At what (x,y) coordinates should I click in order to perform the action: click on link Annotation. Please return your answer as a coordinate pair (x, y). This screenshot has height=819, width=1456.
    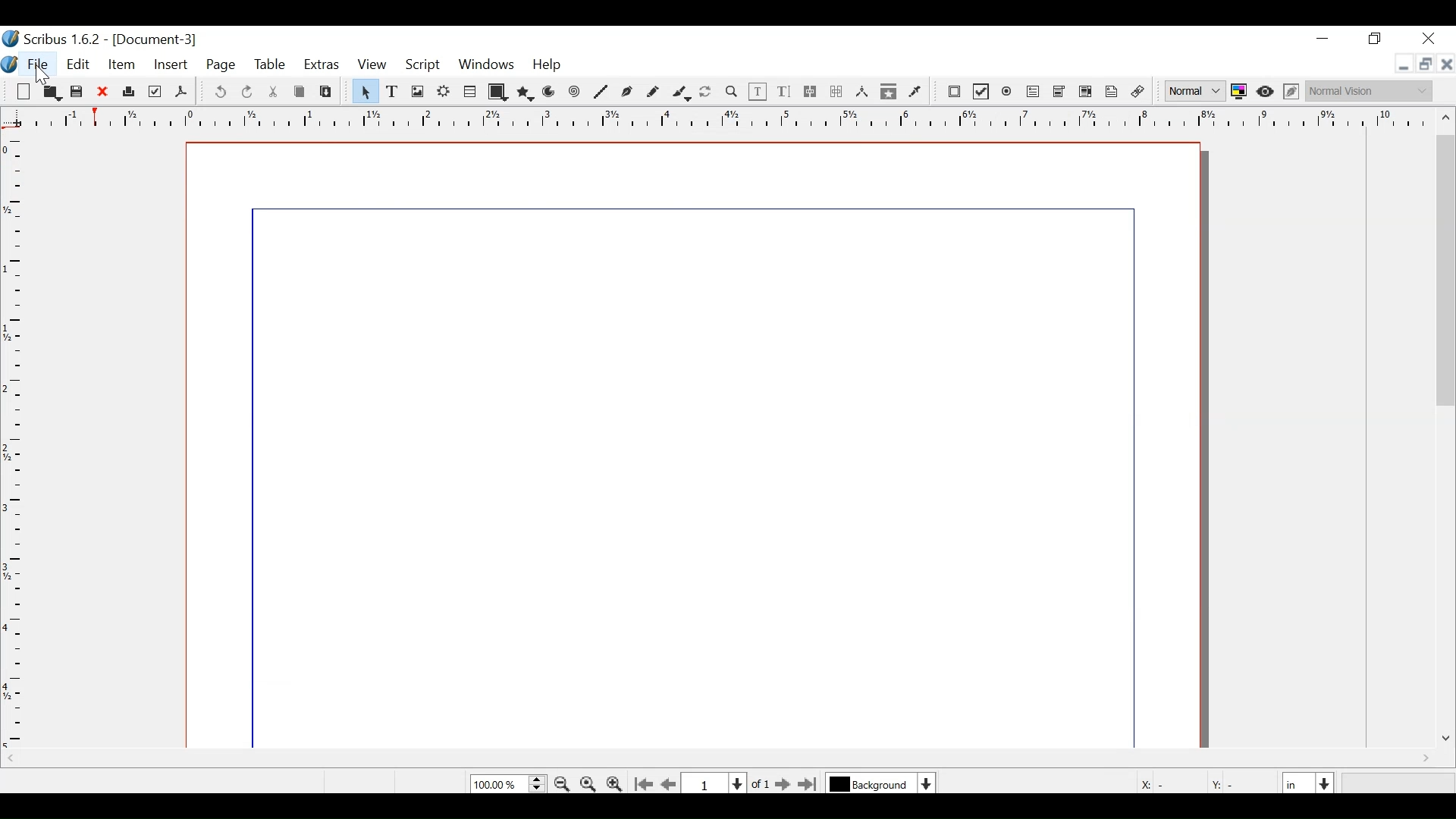
    Looking at the image, I should click on (1112, 93).